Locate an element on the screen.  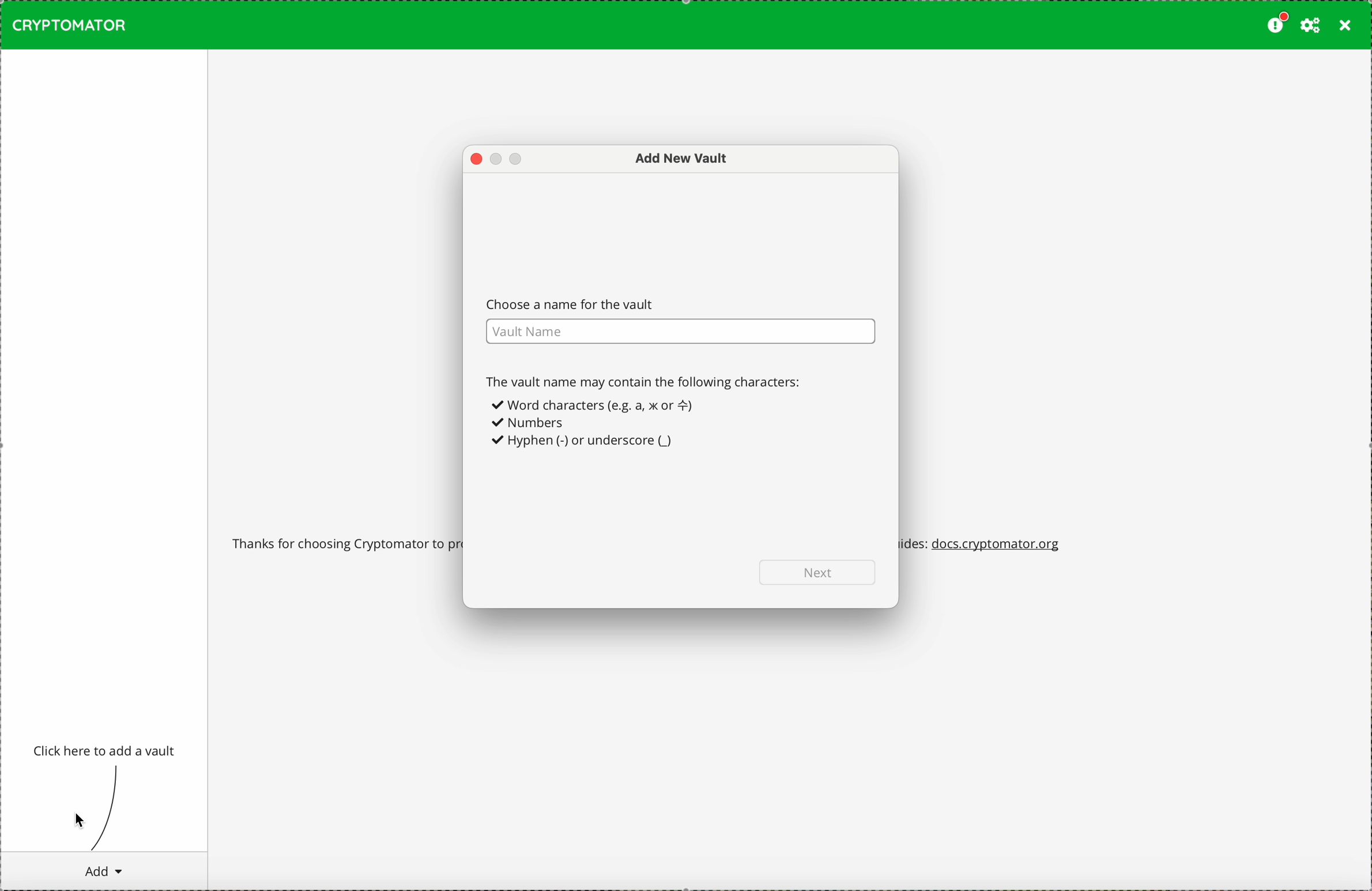
close is located at coordinates (1345, 26).